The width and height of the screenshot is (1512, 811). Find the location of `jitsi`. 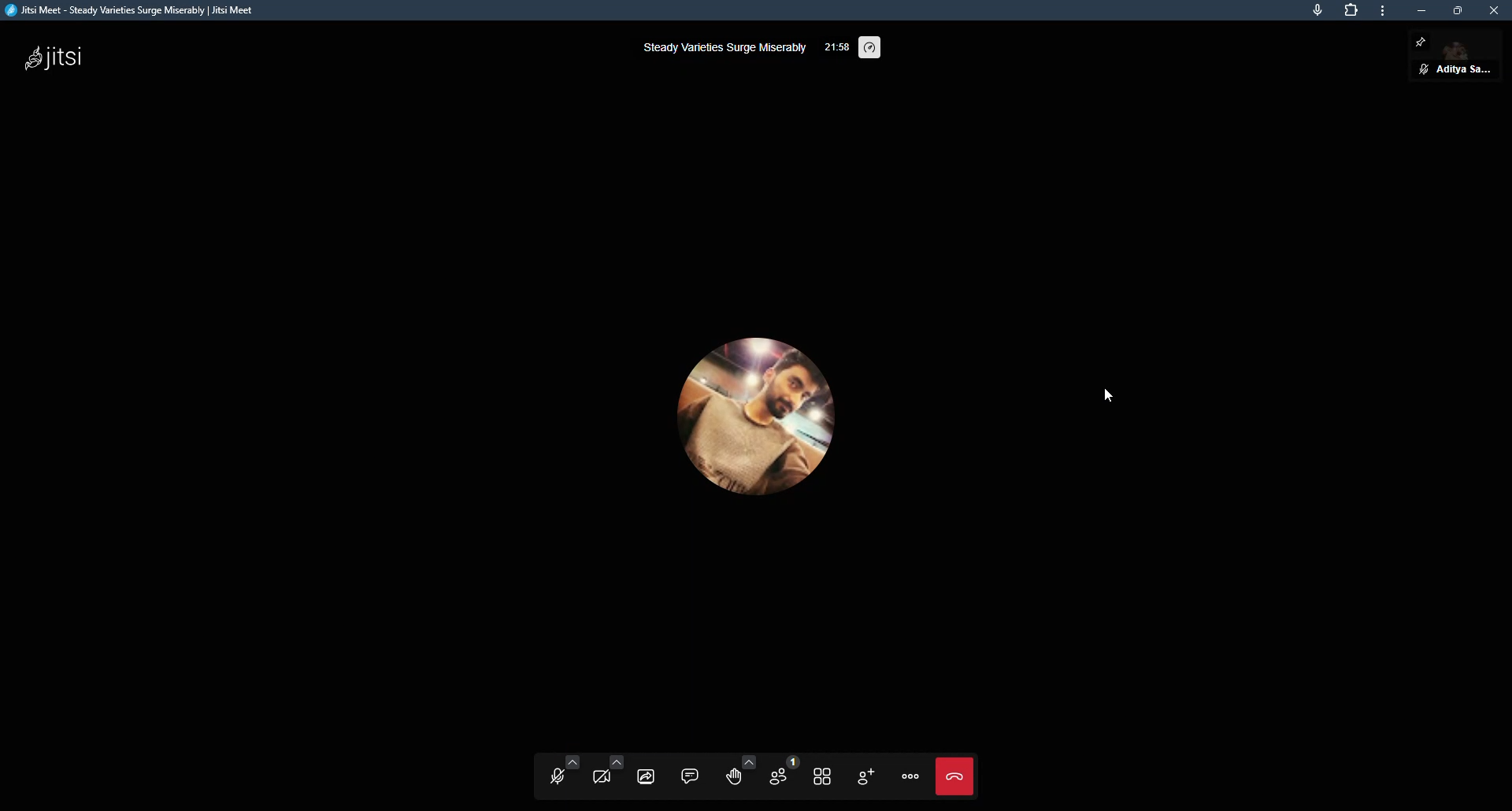

jitsi is located at coordinates (54, 57).